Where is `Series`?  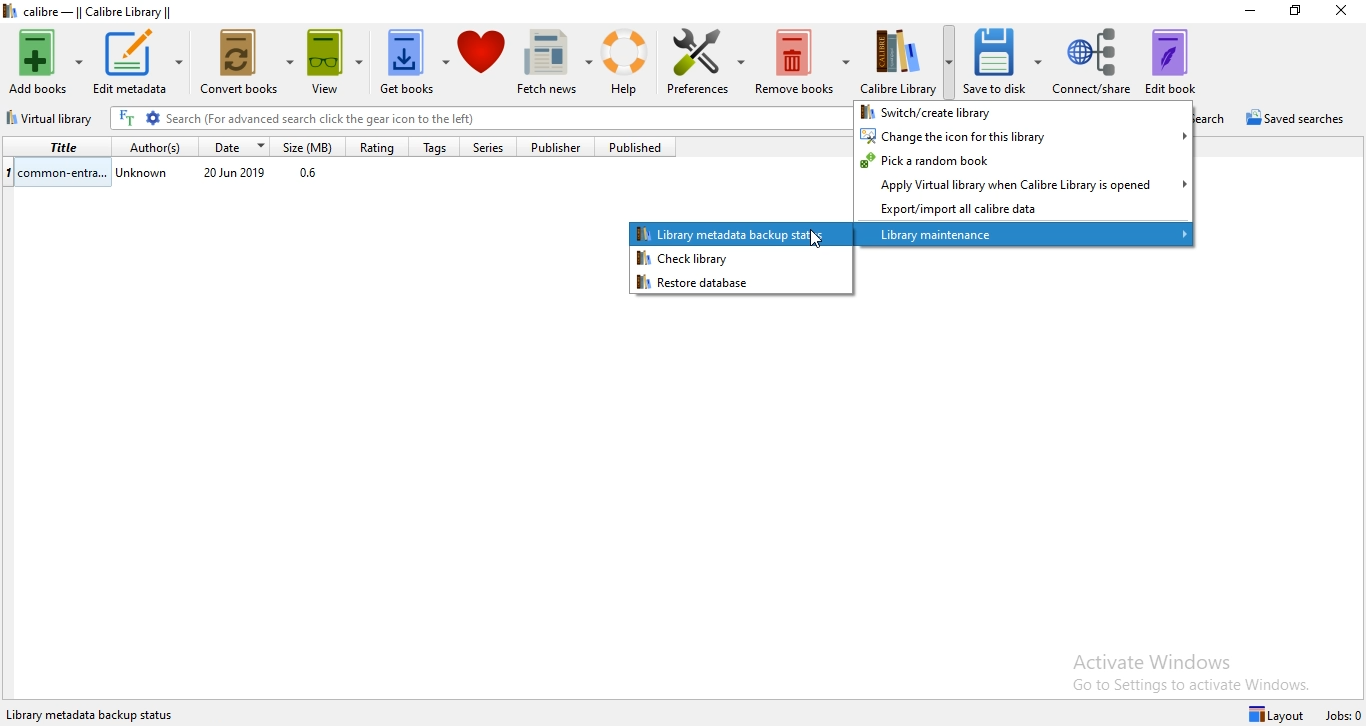
Series is located at coordinates (495, 148).